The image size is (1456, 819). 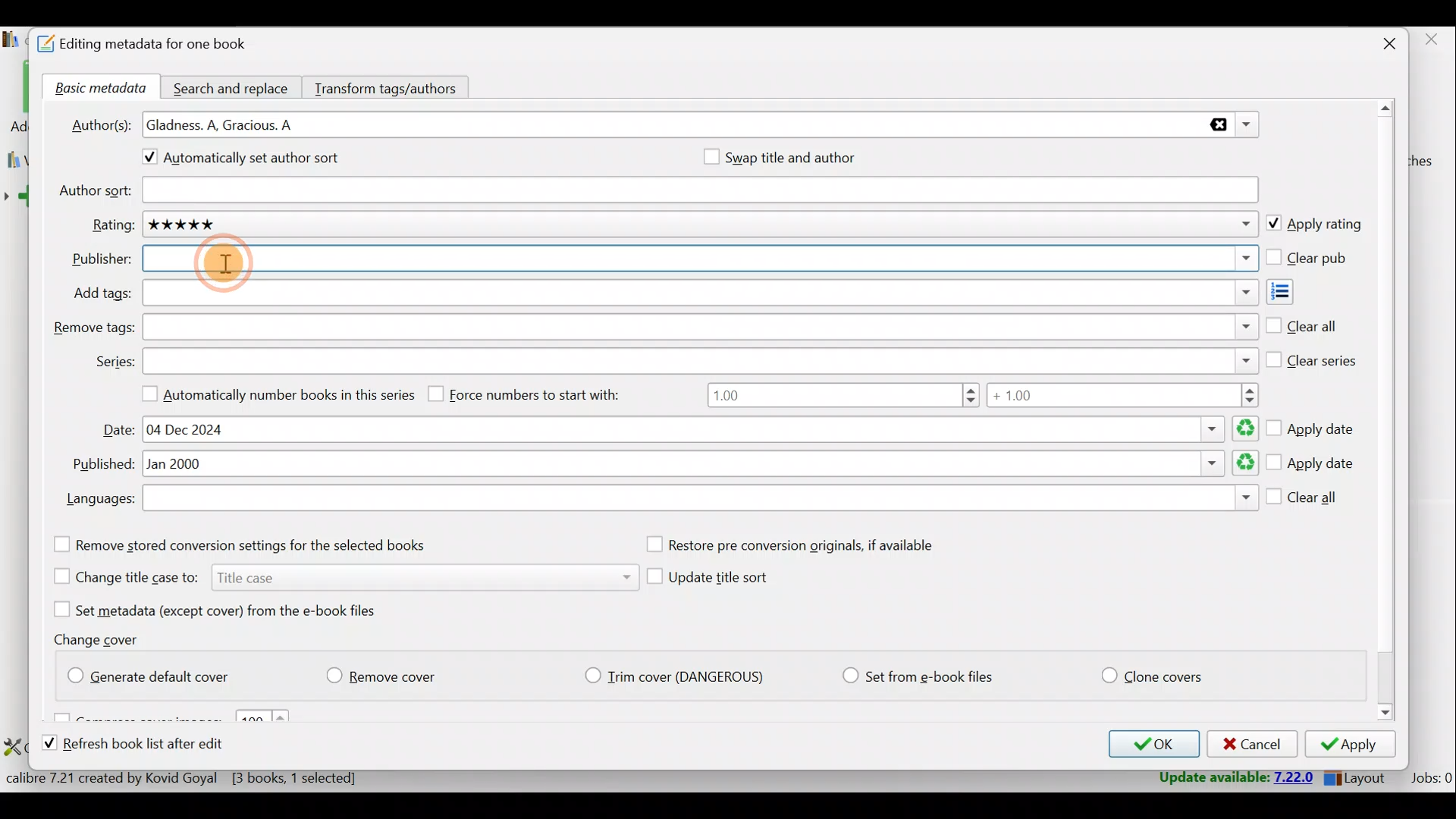 What do you see at coordinates (722, 580) in the screenshot?
I see `Update title sort` at bounding box center [722, 580].